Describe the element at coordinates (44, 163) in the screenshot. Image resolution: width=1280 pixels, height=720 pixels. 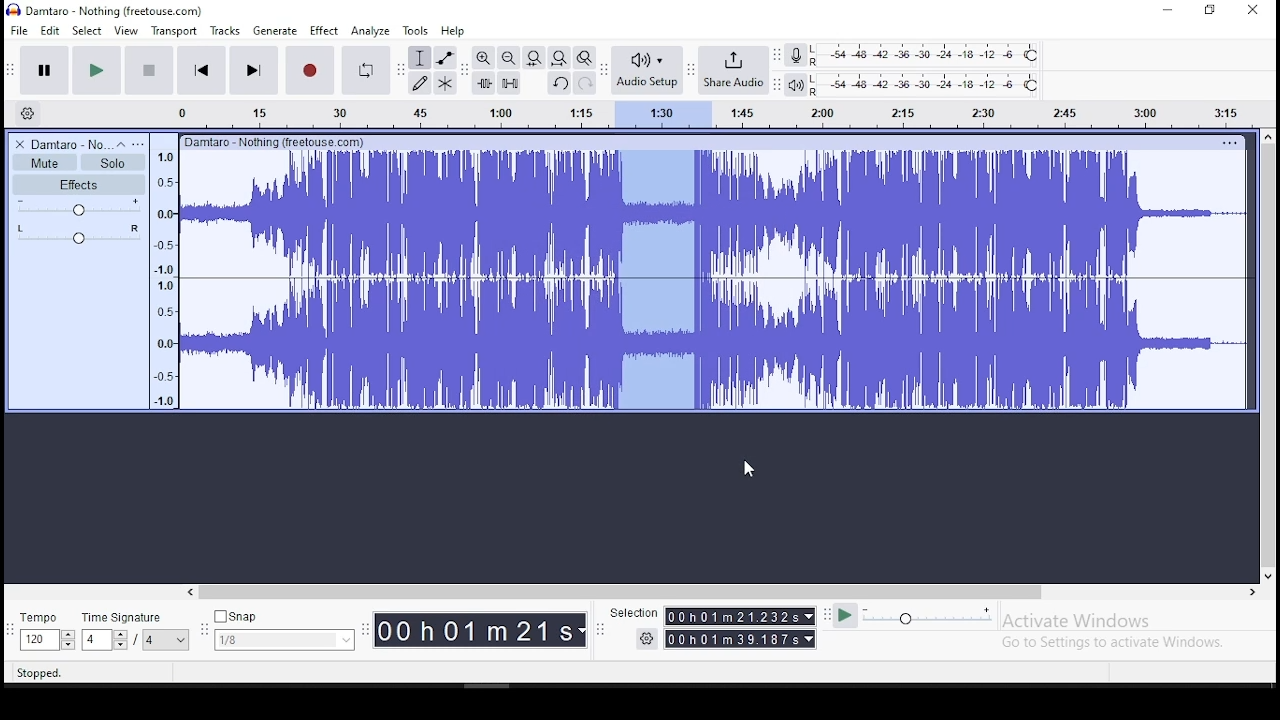
I see `mute` at that location.